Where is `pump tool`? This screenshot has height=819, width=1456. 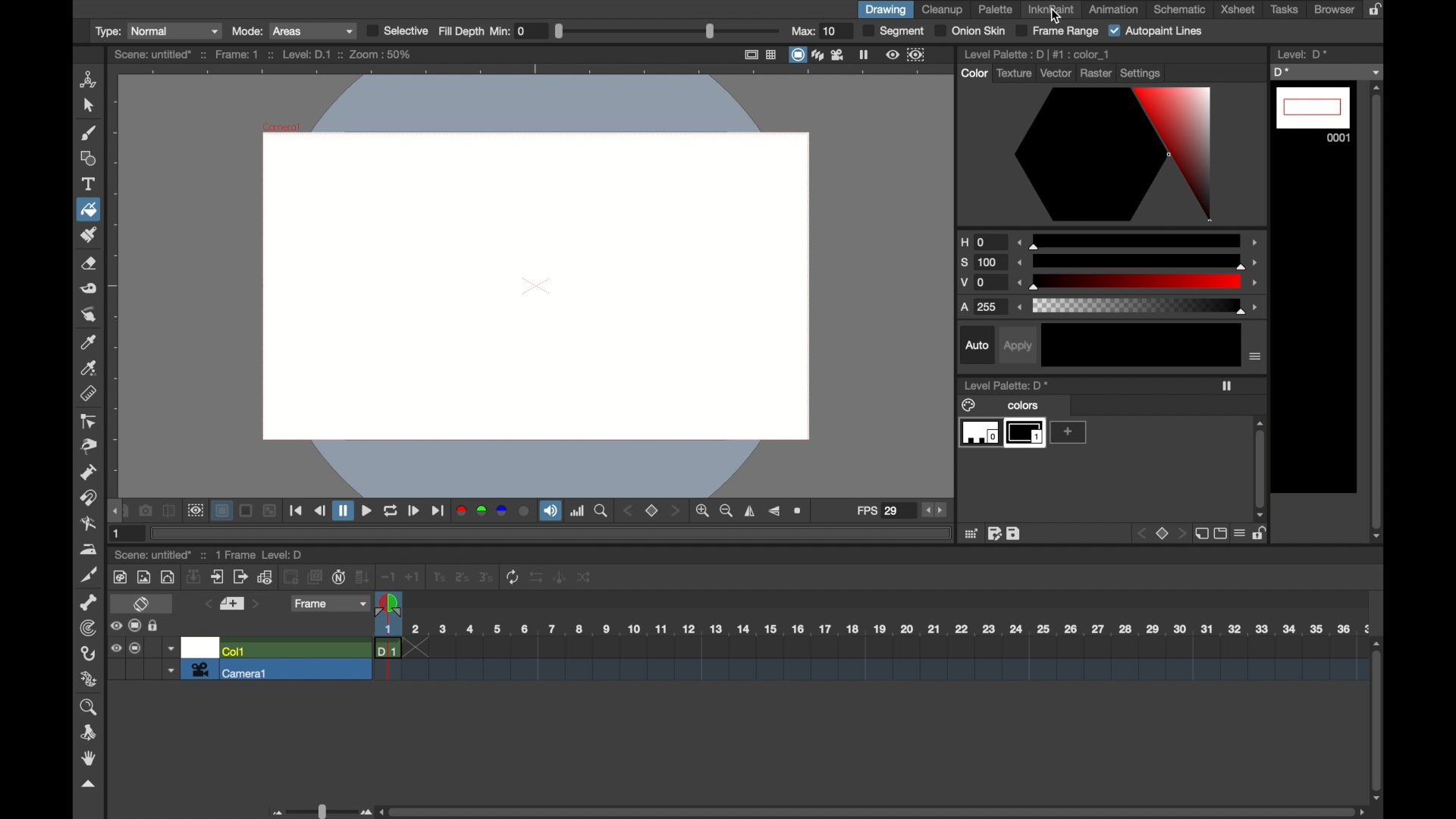 pump tool is located at coordinates (87, 472).